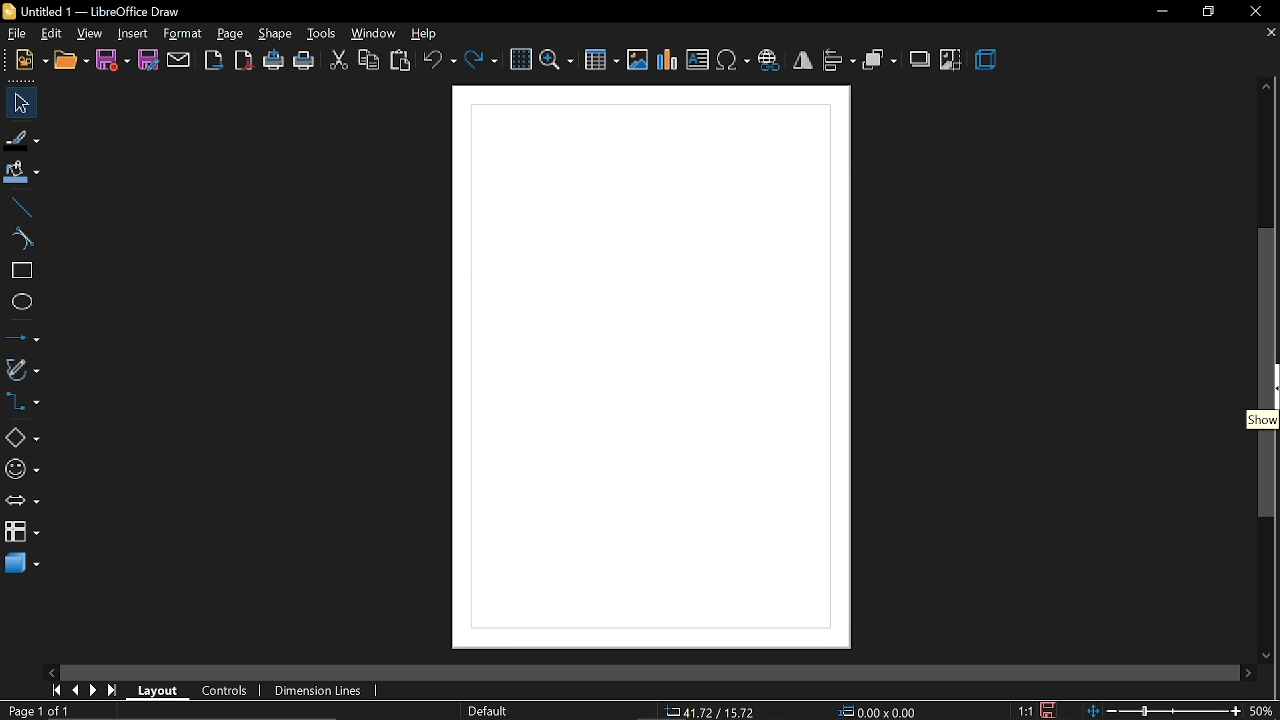 This screenshot has width=1280, height=720. Describe the element at coordinates (320, 34) in the screenshot. I see `tools` at that location.